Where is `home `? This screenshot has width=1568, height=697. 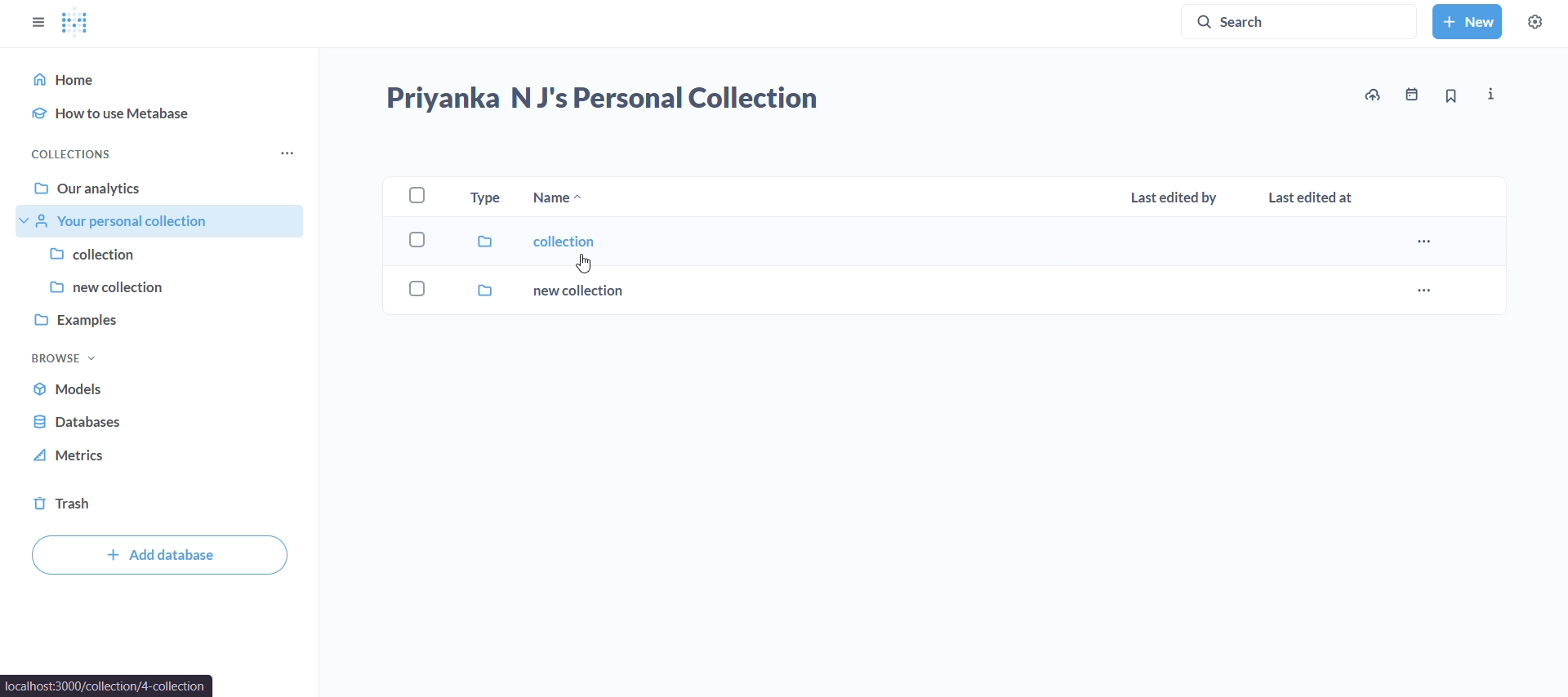
home  is located at coordinates (163, 77).